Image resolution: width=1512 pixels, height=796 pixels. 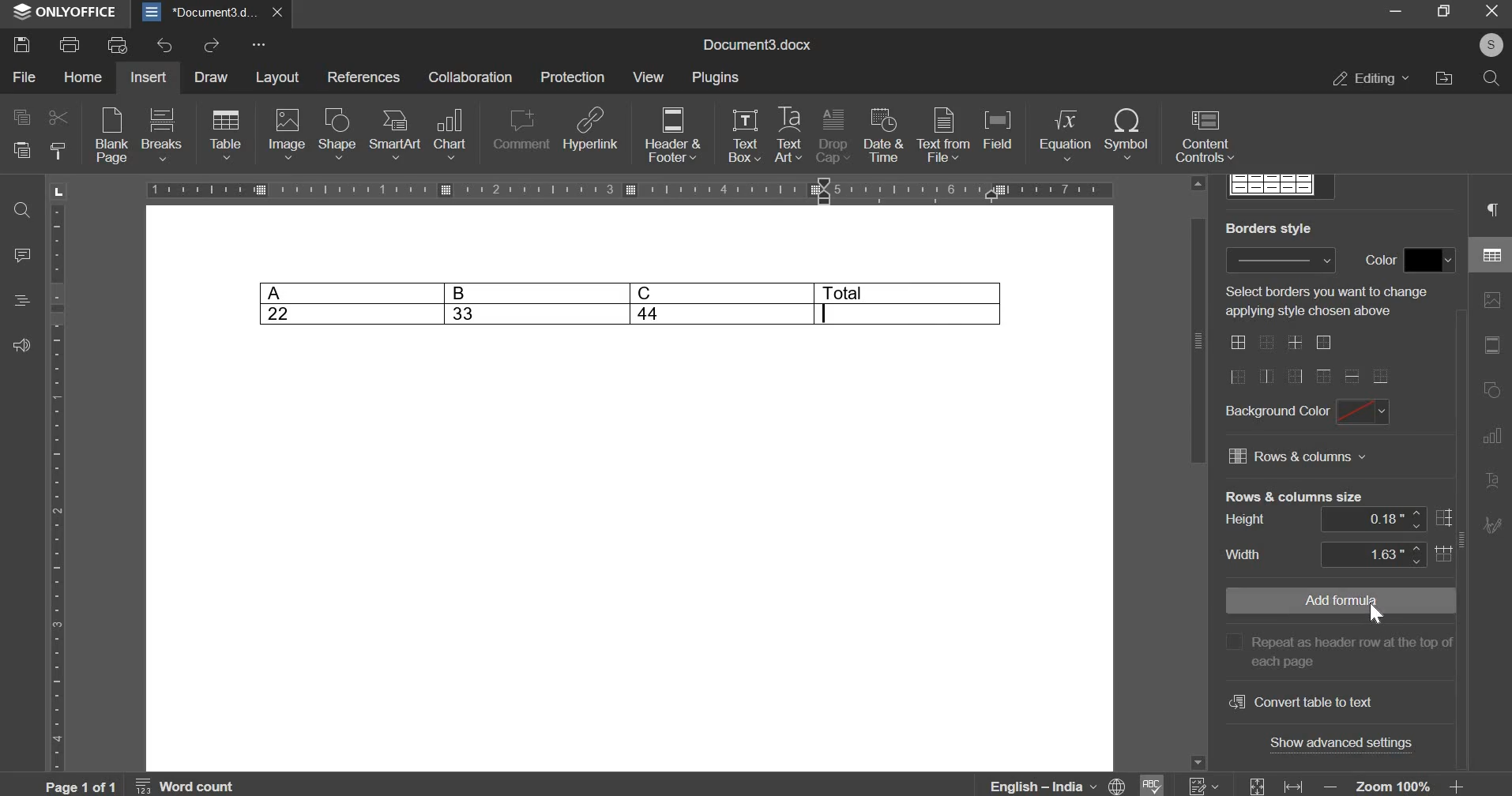 What do you see at coordinates (225, 135) in the screenshot?
I see `table` at bounding box center [225, 135].